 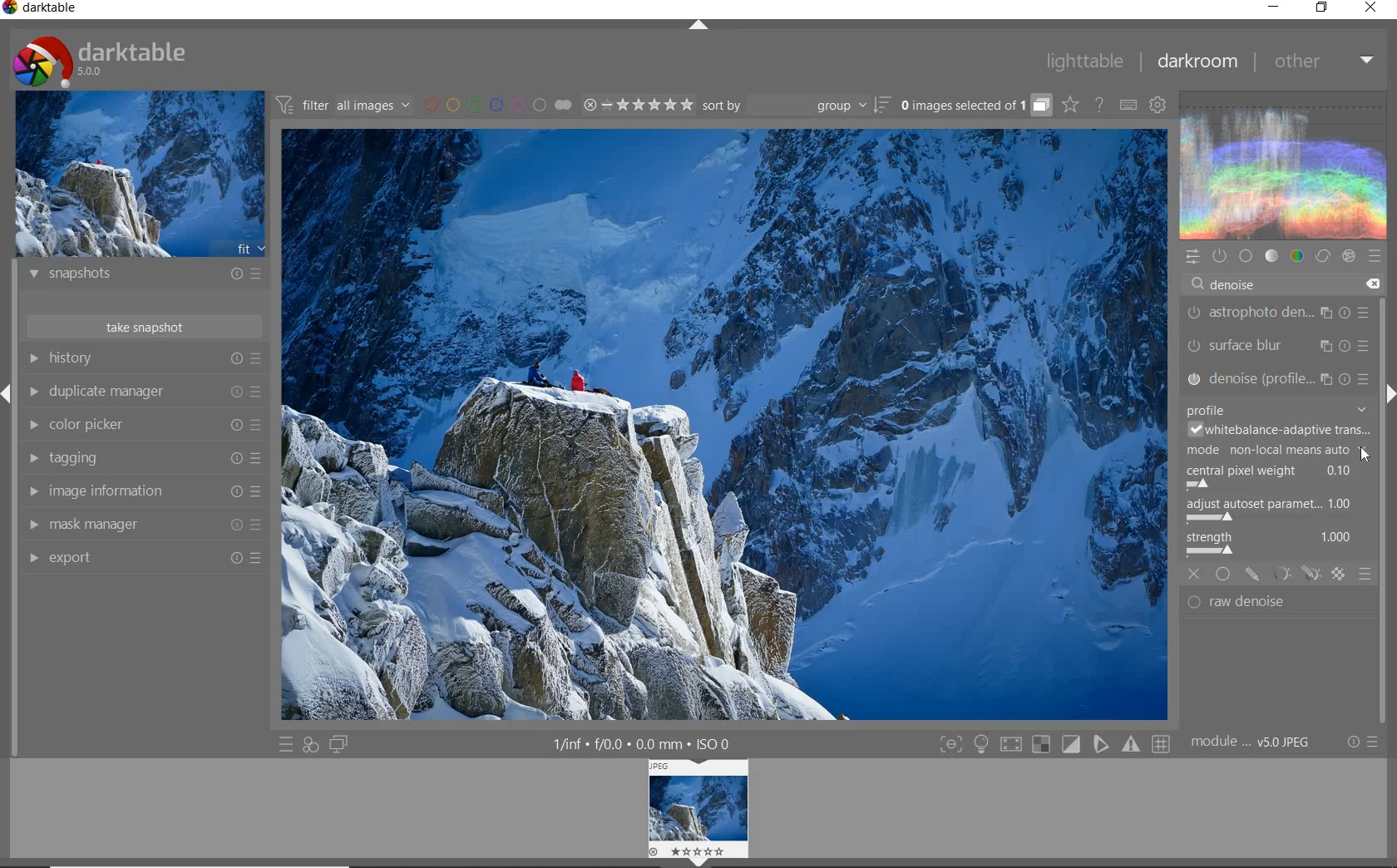 I want to click on image preview, so click(x=139, y=173).